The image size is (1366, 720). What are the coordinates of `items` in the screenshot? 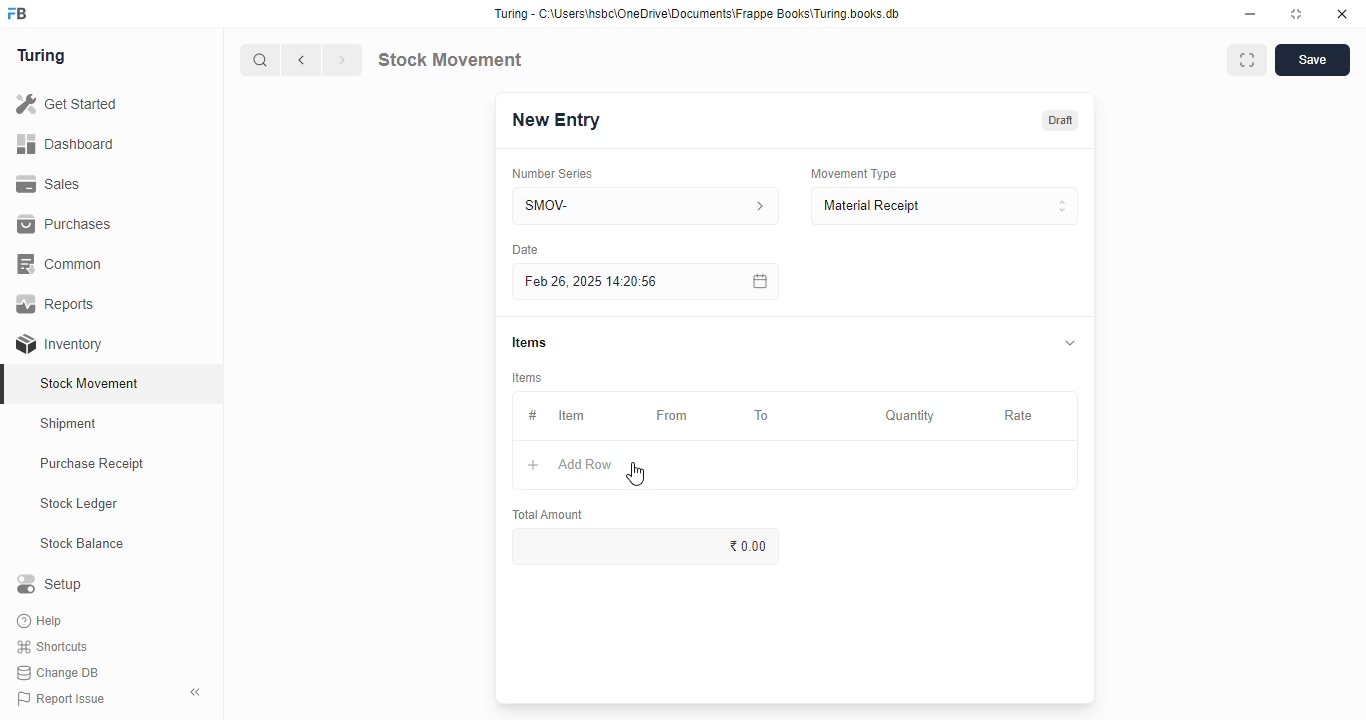 It's located at (529, 342).